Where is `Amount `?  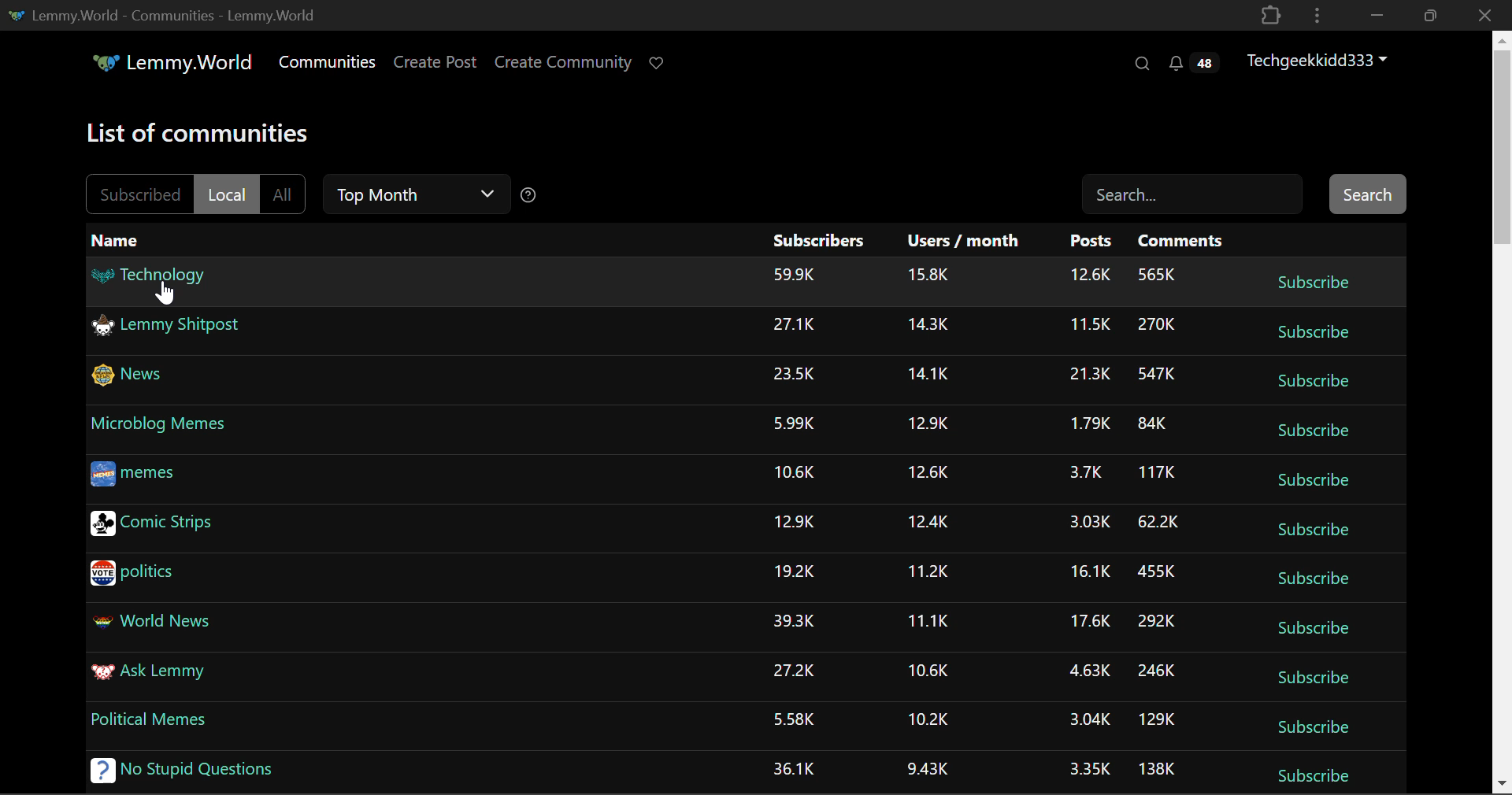 Amount  is located at coordinates (1088, 327).